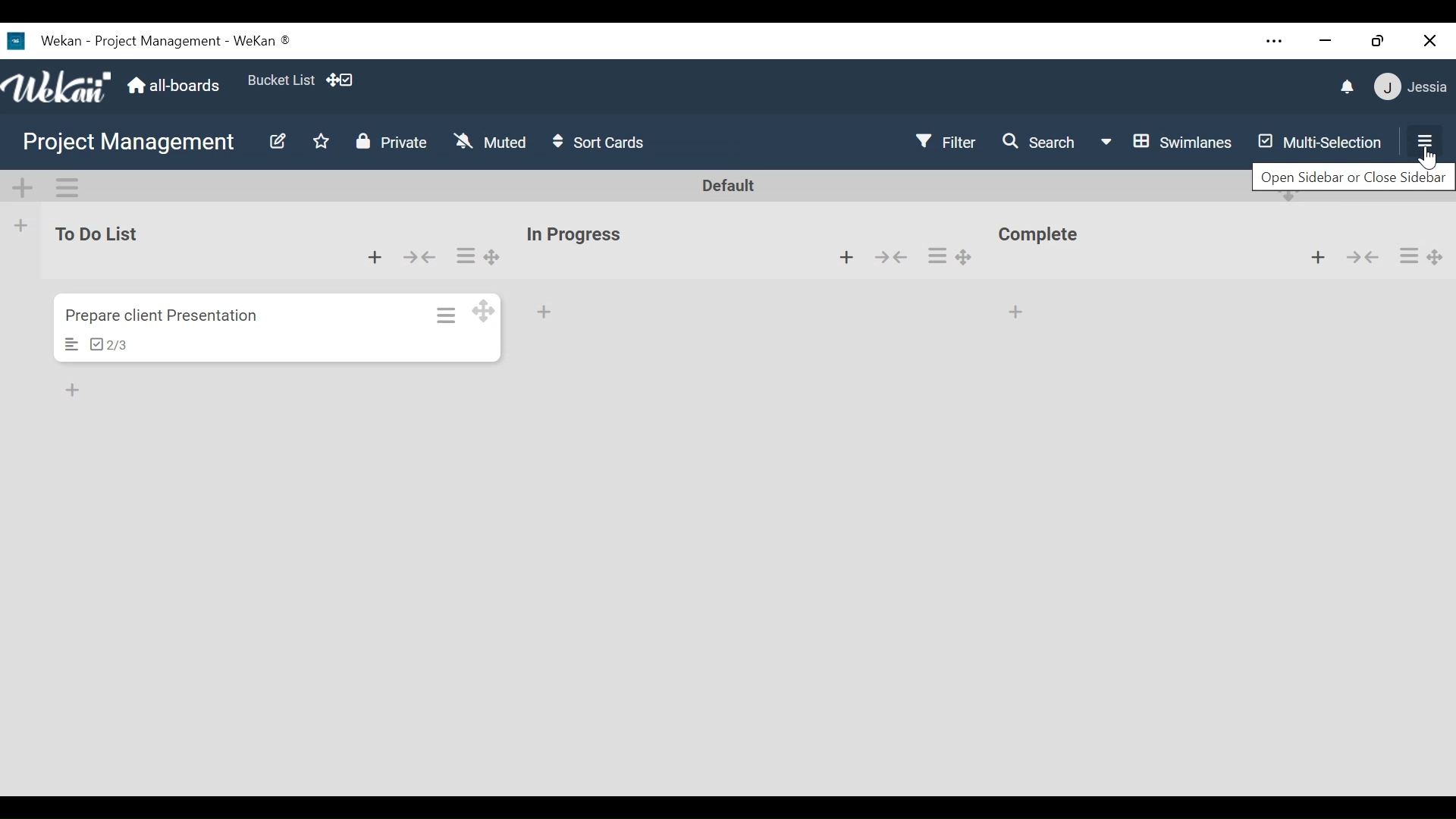 The image size is (1456, 819). I want to click on Open sidebar or close sidebar, so click(1350, 182).